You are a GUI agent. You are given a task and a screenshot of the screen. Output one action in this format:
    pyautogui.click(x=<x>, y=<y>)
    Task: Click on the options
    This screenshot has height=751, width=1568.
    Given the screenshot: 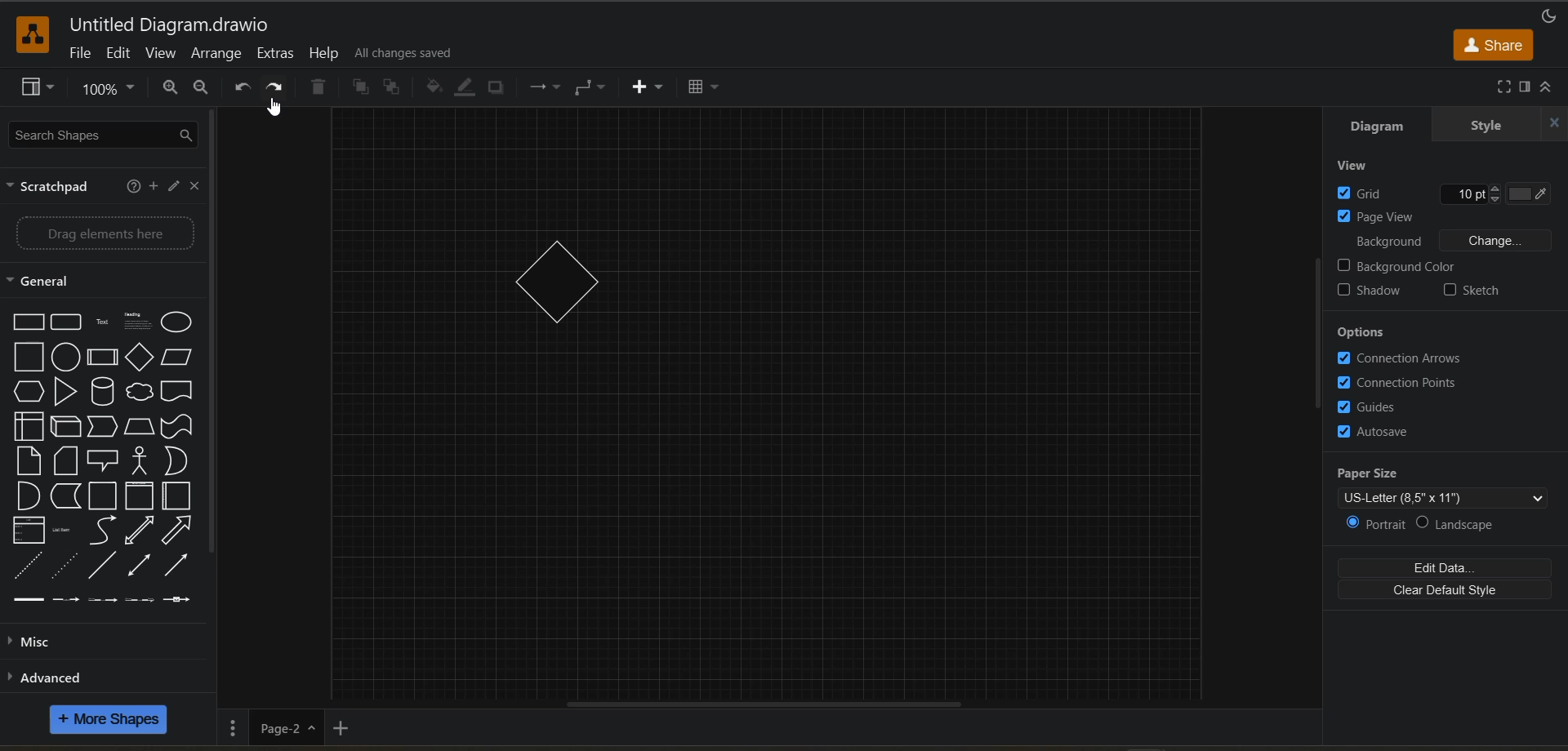 What is the action you would take?
    pyautogui.click(x=1363, y=332)
    